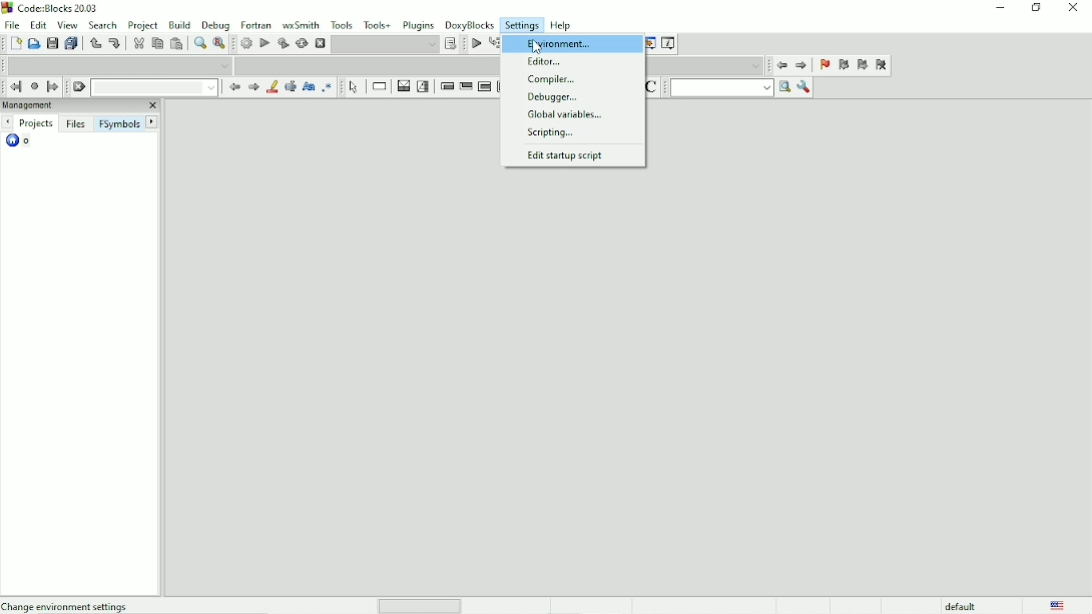  What do you see at coordinates (37, 124) in the screenshot?
I see `Projects` at bounding box center [37, 124].